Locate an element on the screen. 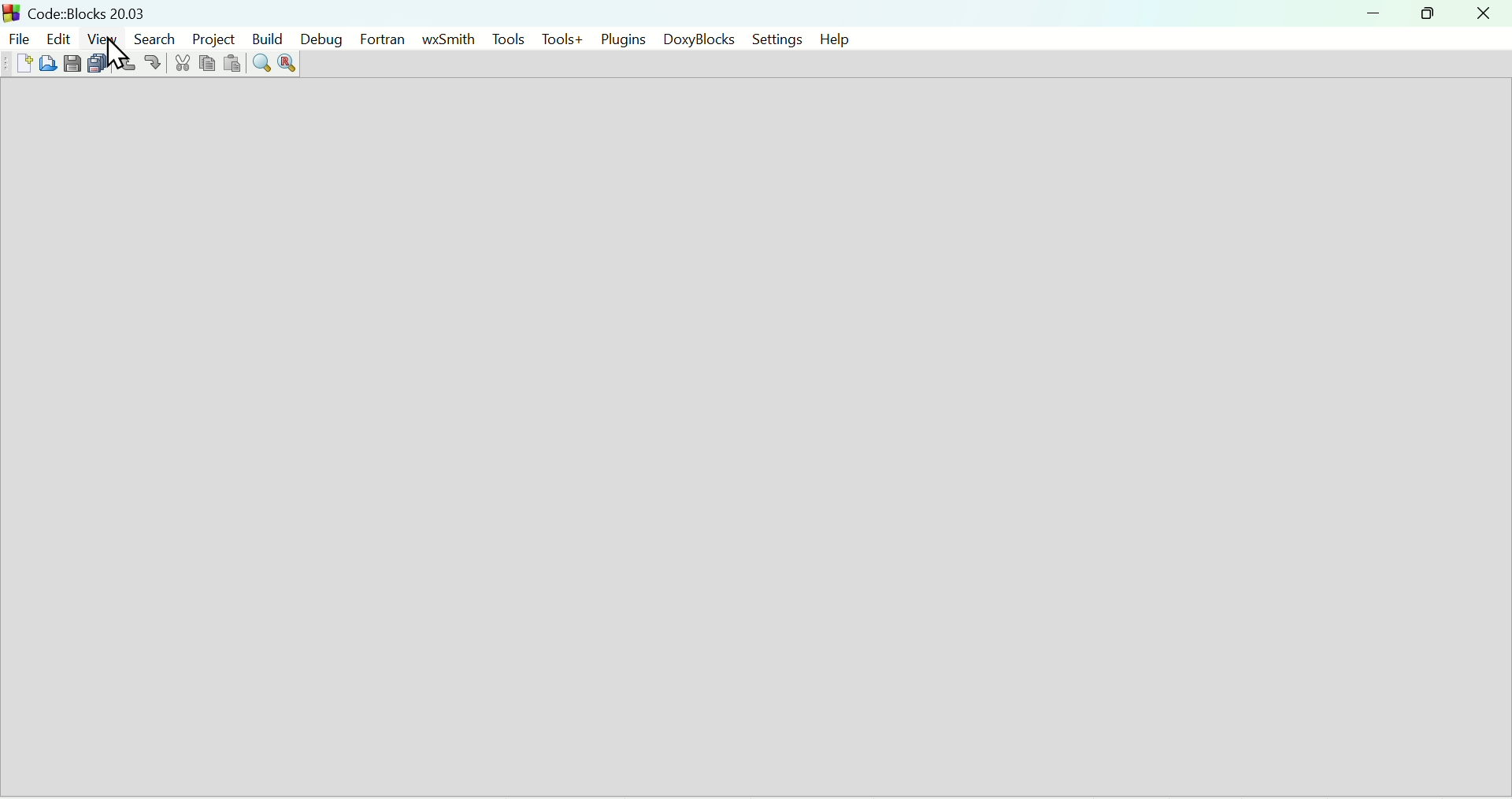 The height and width of the screenshot is (799, 1512). Restore is located at coordinates (1423, 13).